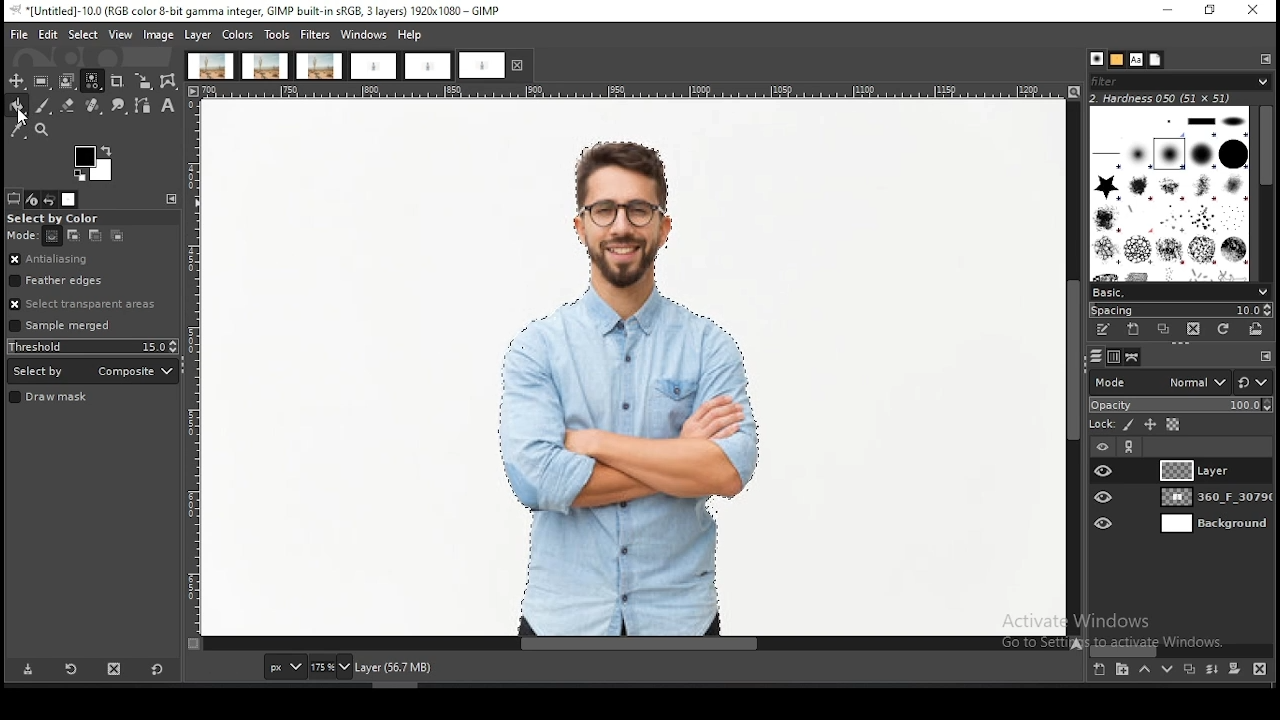 Image resolution: width=1280 pixels, height=720 pixels. Describe the element at coordinates (1268, 356) in the screenshot. I see `configure this tab` at that location.